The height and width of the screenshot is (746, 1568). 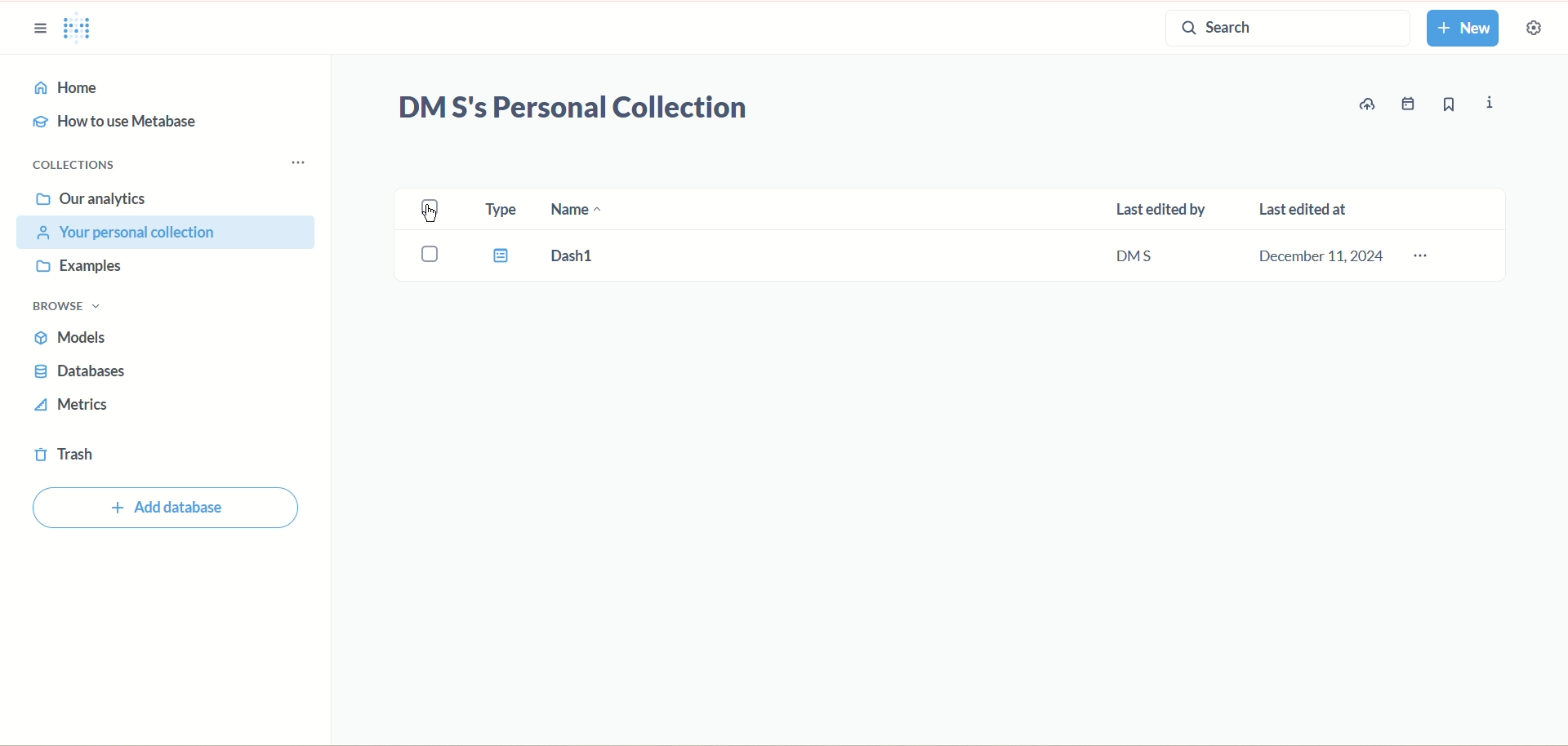 I want to click on December 11,2024, so click(x=1318, y=257).